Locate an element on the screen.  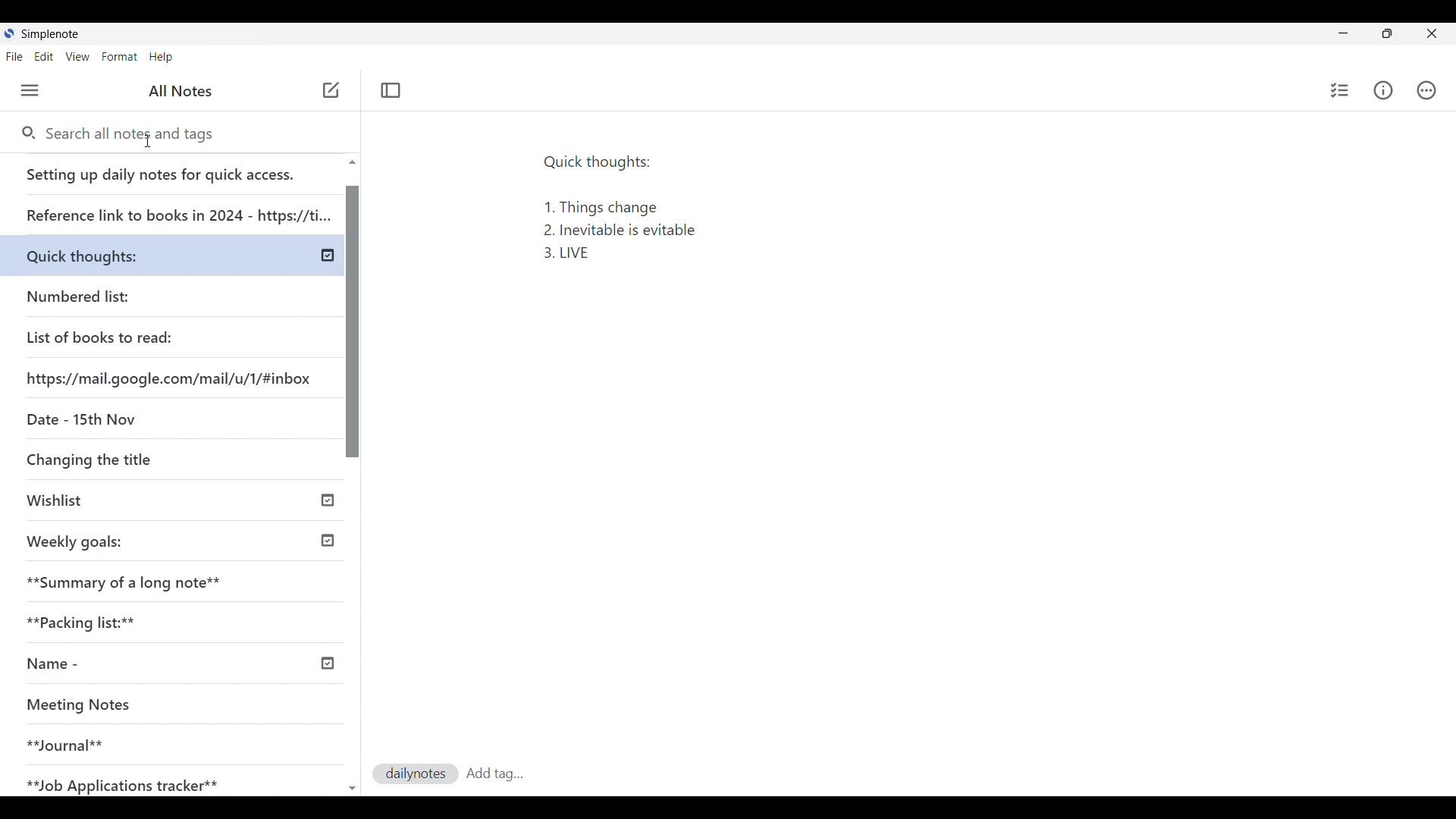
Wishlist is located at coordinates (127, 502).